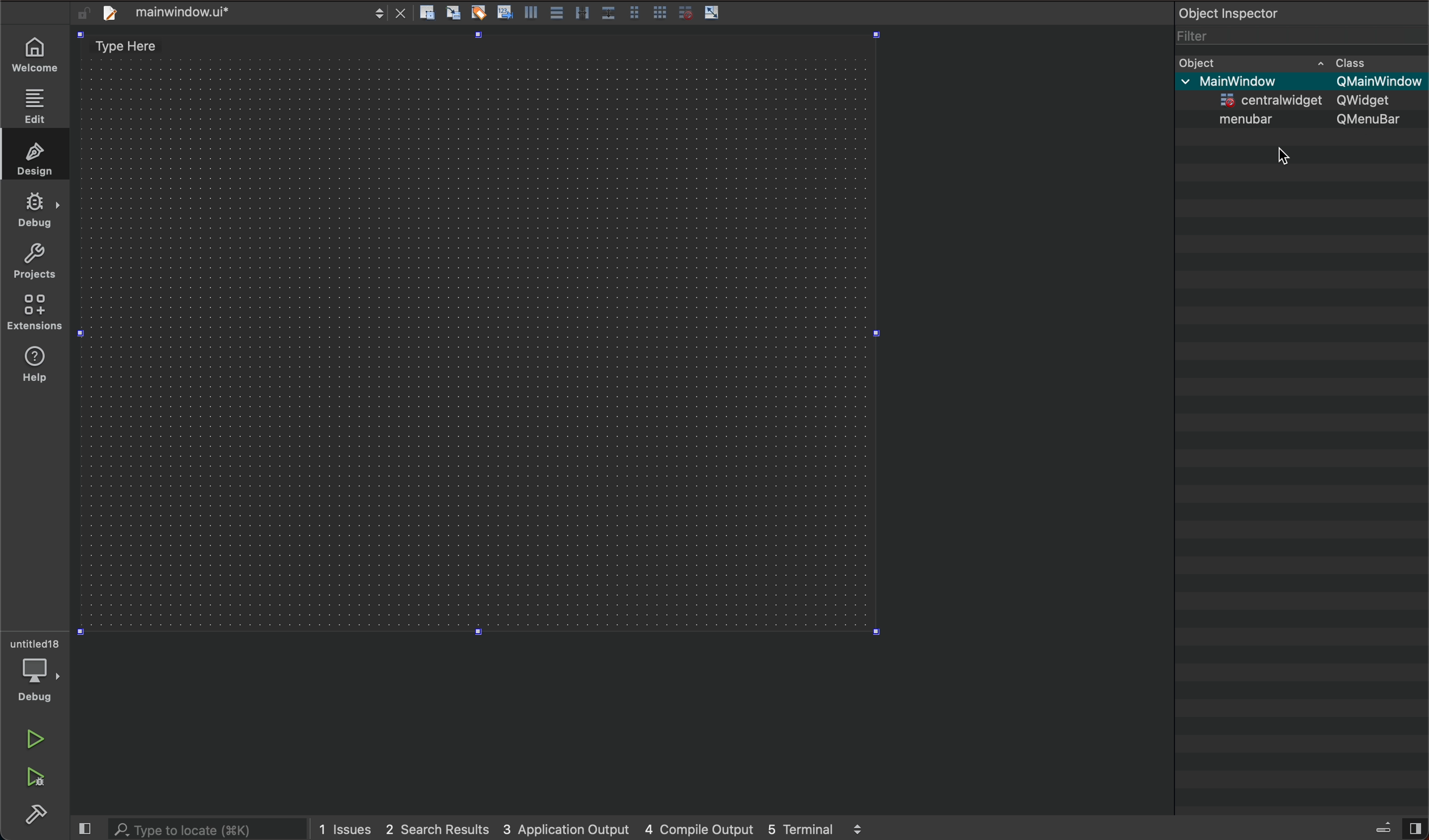 The width and height of the screenshot is (1429, 840). I want to click on help, so click(32, 314).